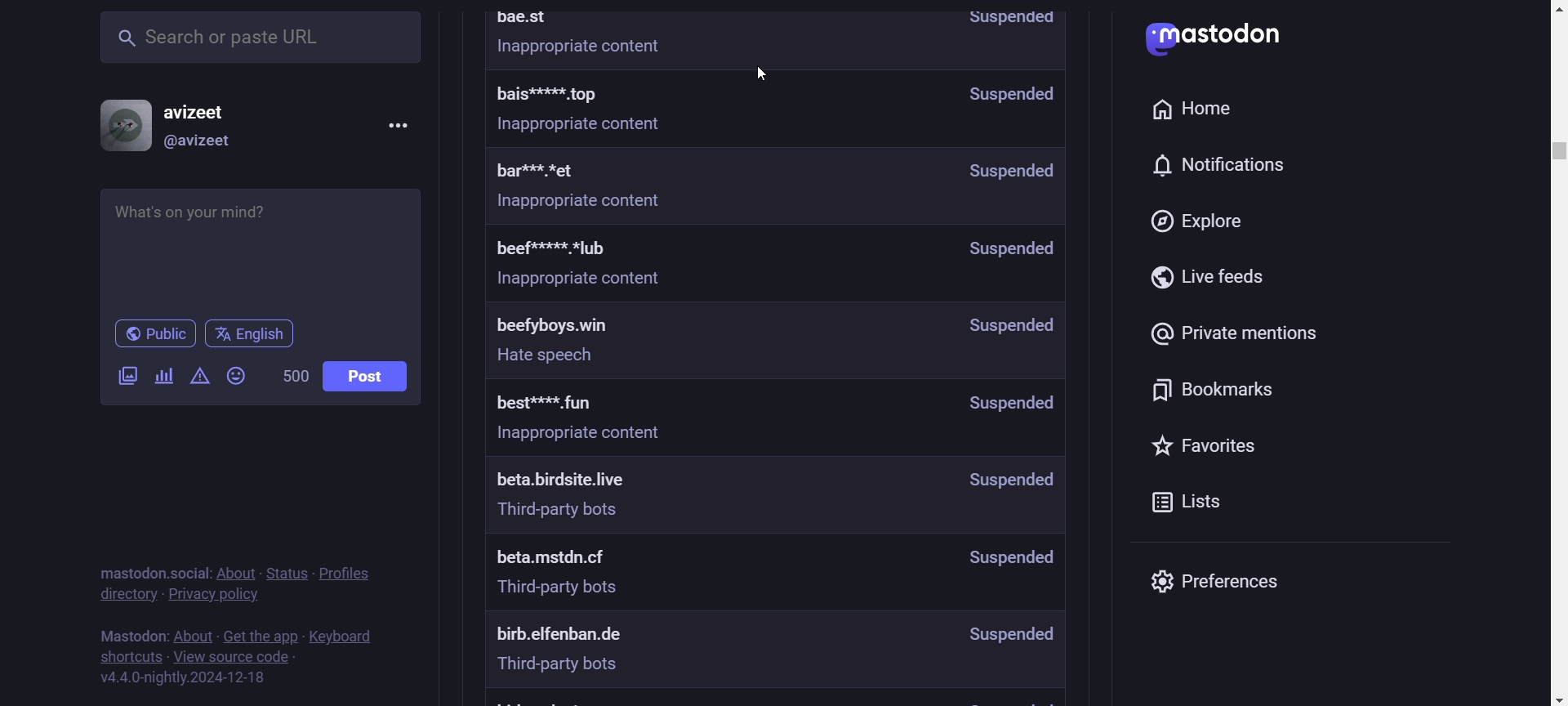 Image resolution: width=1568 pixels, height=706 pixels. I want to click on @username, so click(199, 145).